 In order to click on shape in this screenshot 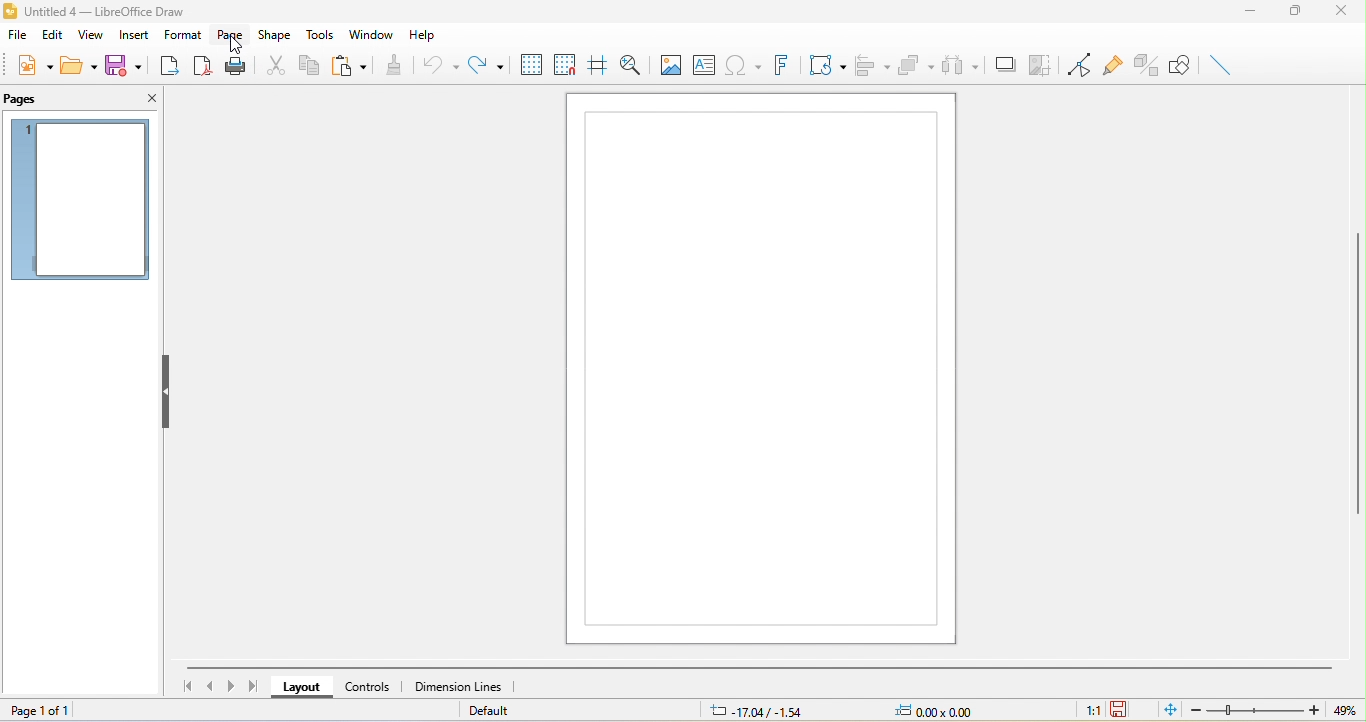, I will do `click(278, 34)`.